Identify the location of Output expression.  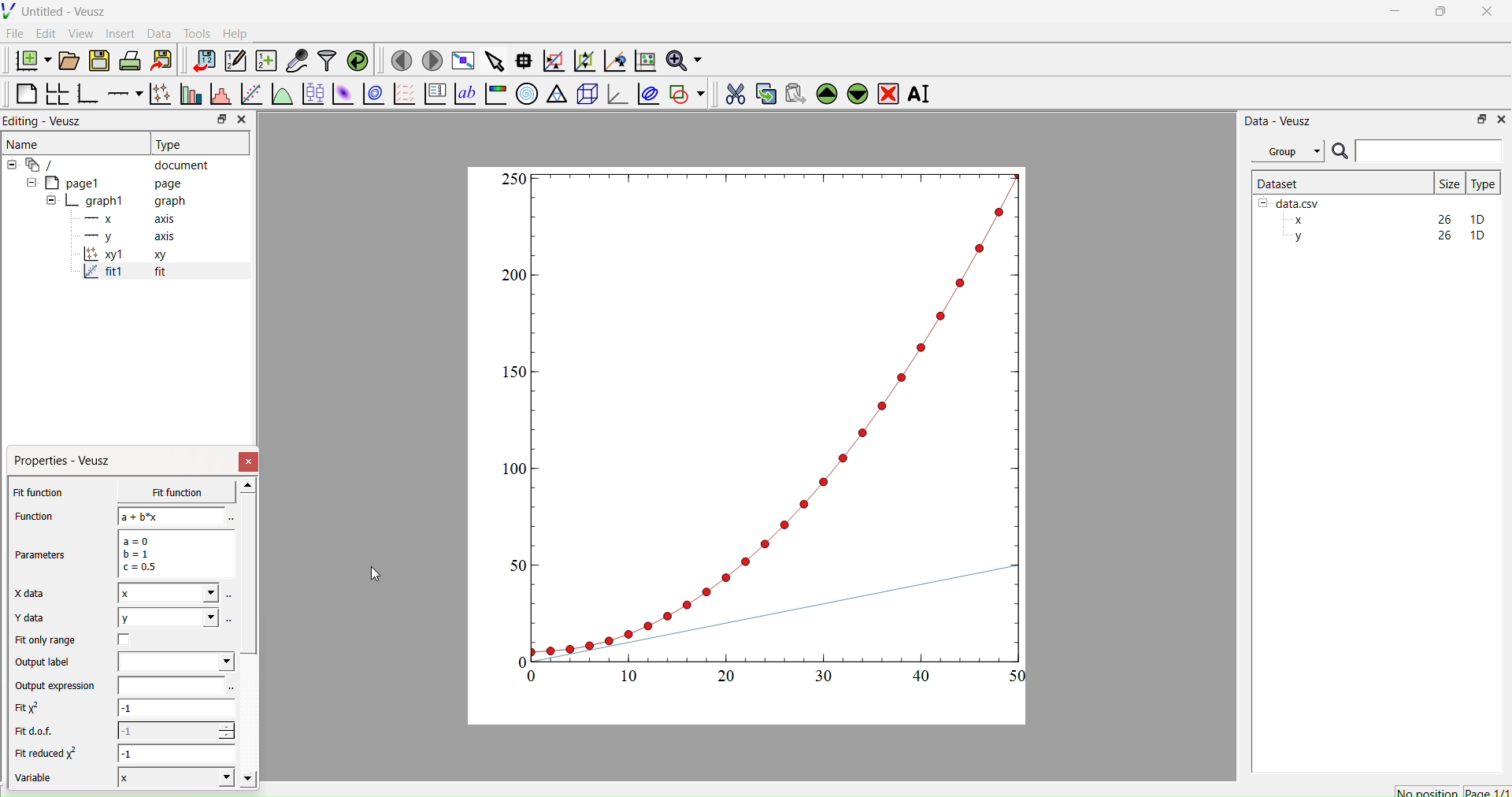
(60, 686).